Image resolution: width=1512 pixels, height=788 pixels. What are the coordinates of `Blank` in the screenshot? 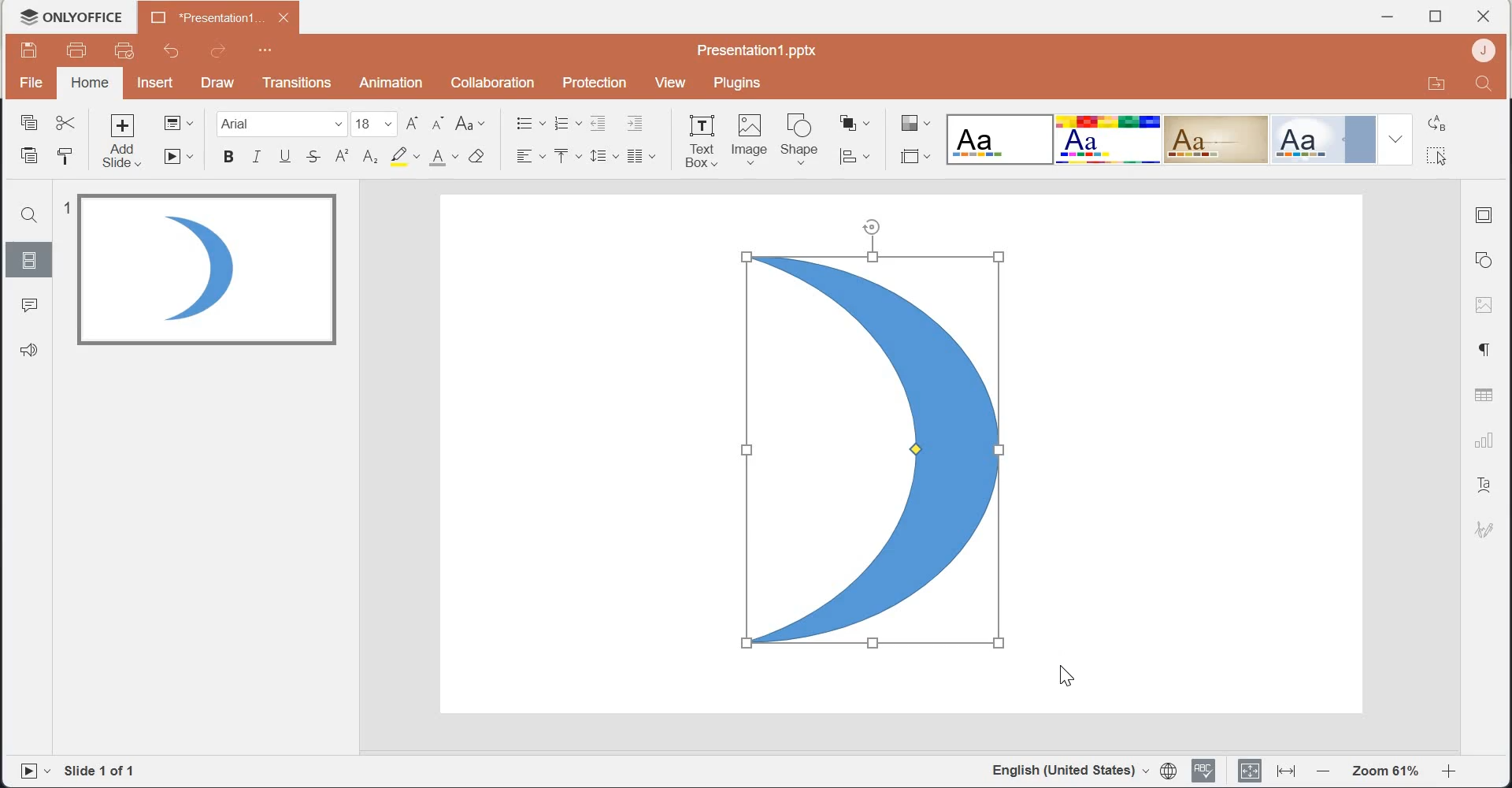 It's located at (1000, 138).